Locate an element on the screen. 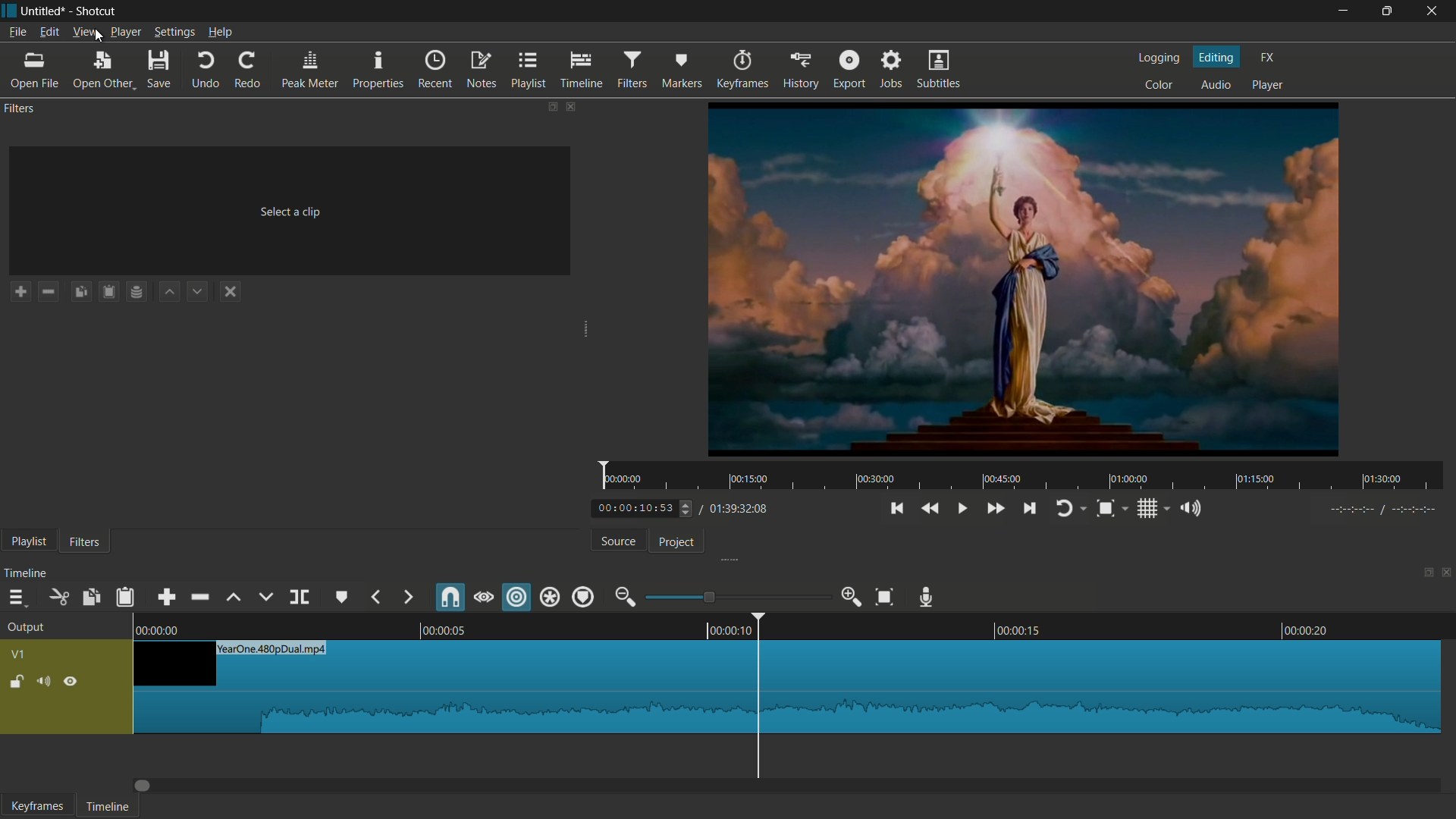 This screenshot has height=819, width=1456. player menu is located at coordinates (125, 33).